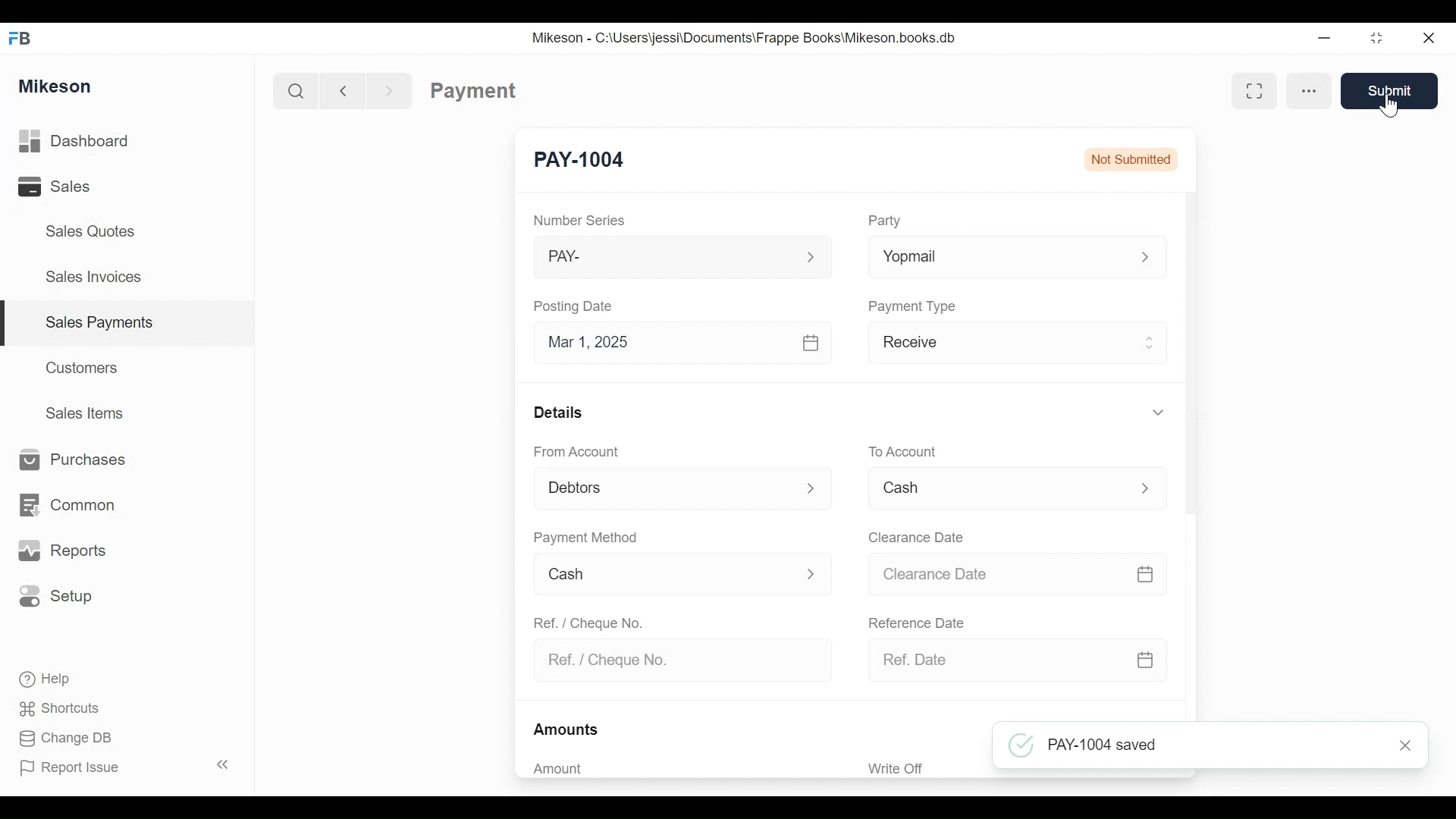 This screenshot has height=819, width=1456. What do you see at coordinates (1313, 93) in the screenshot?
I see `More options` at bounding box center [1313, 93].